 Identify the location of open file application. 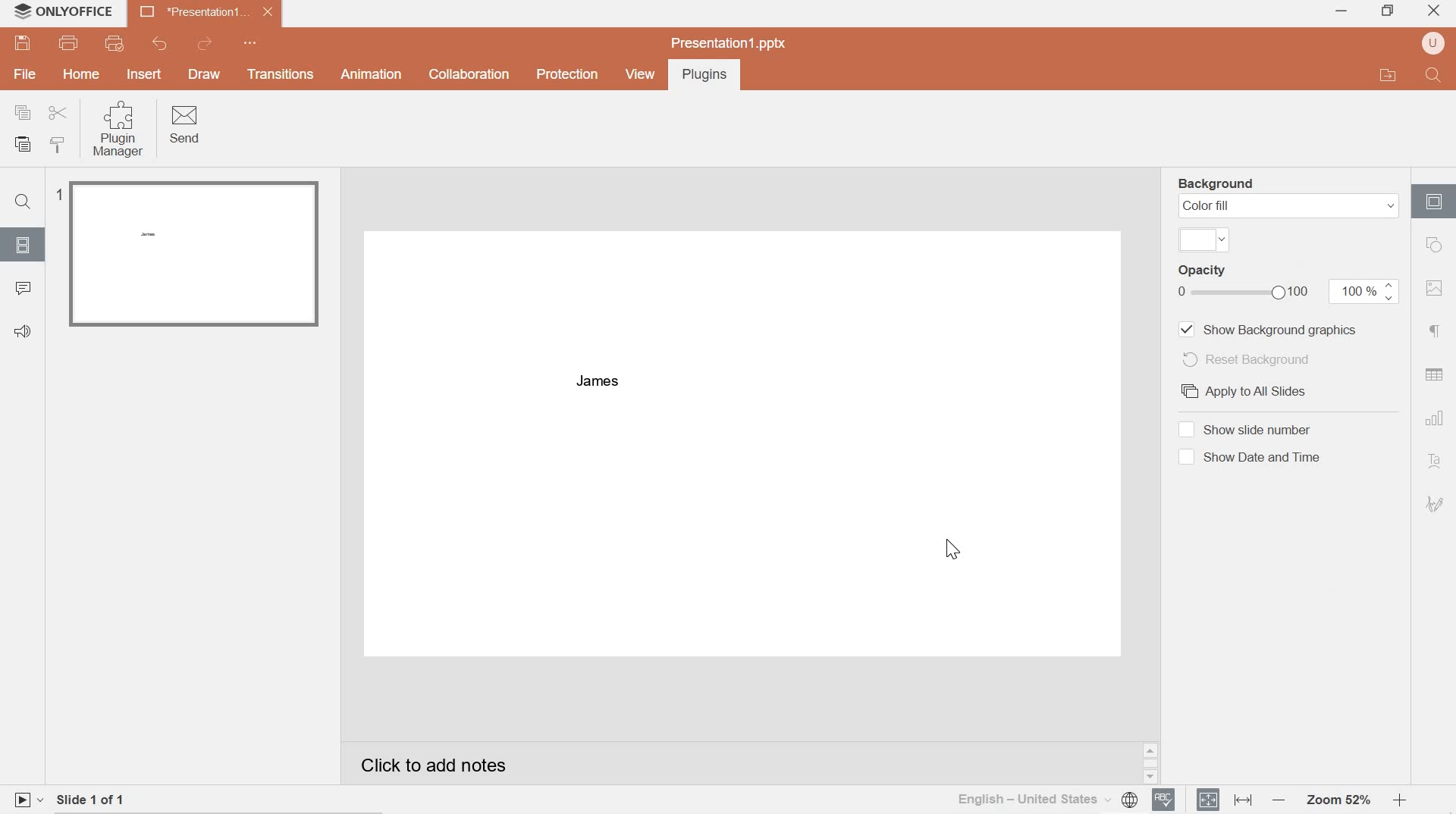
(1386, 75).